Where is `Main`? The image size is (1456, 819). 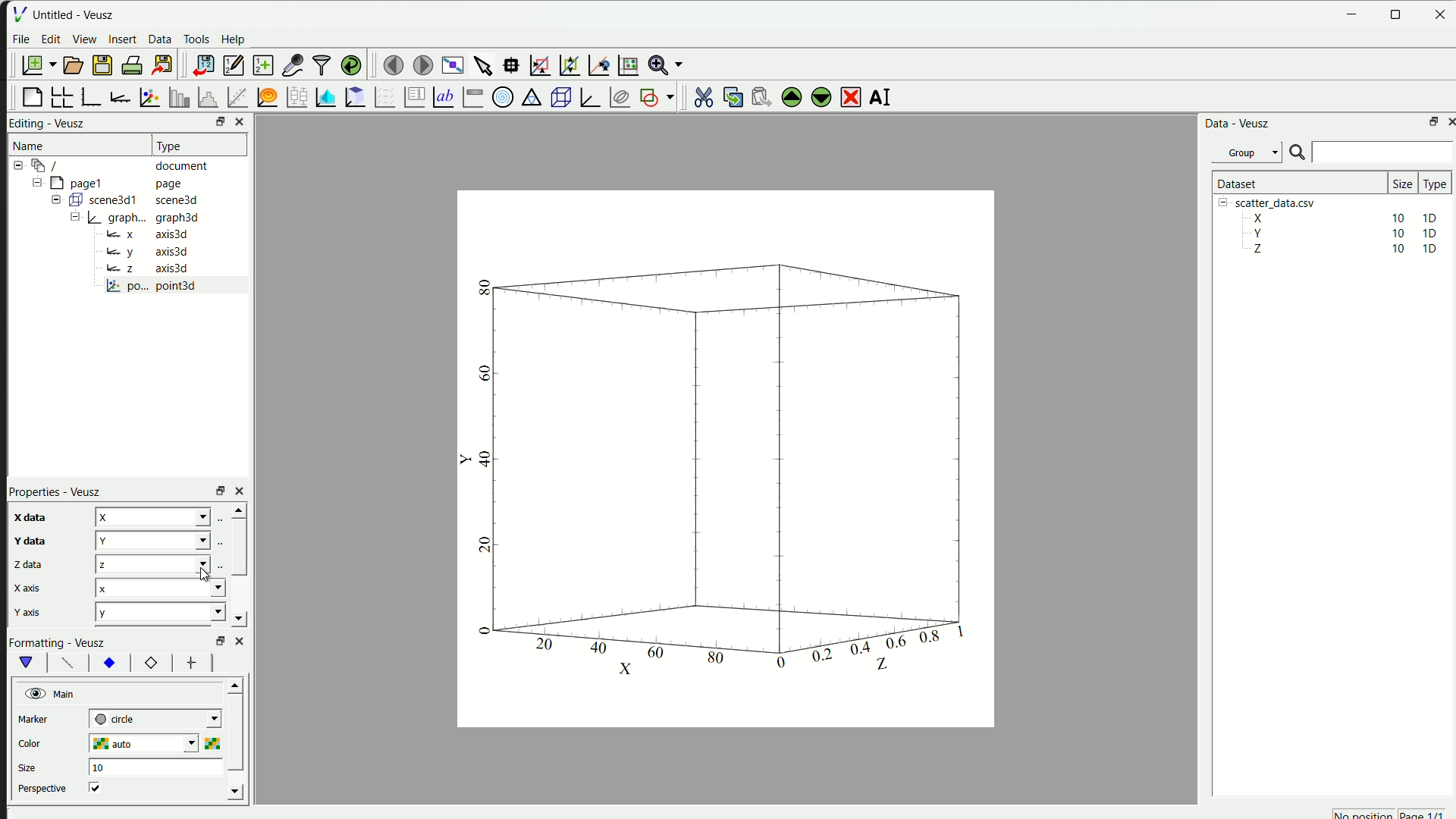 Main is located at coordinates (54, 692).